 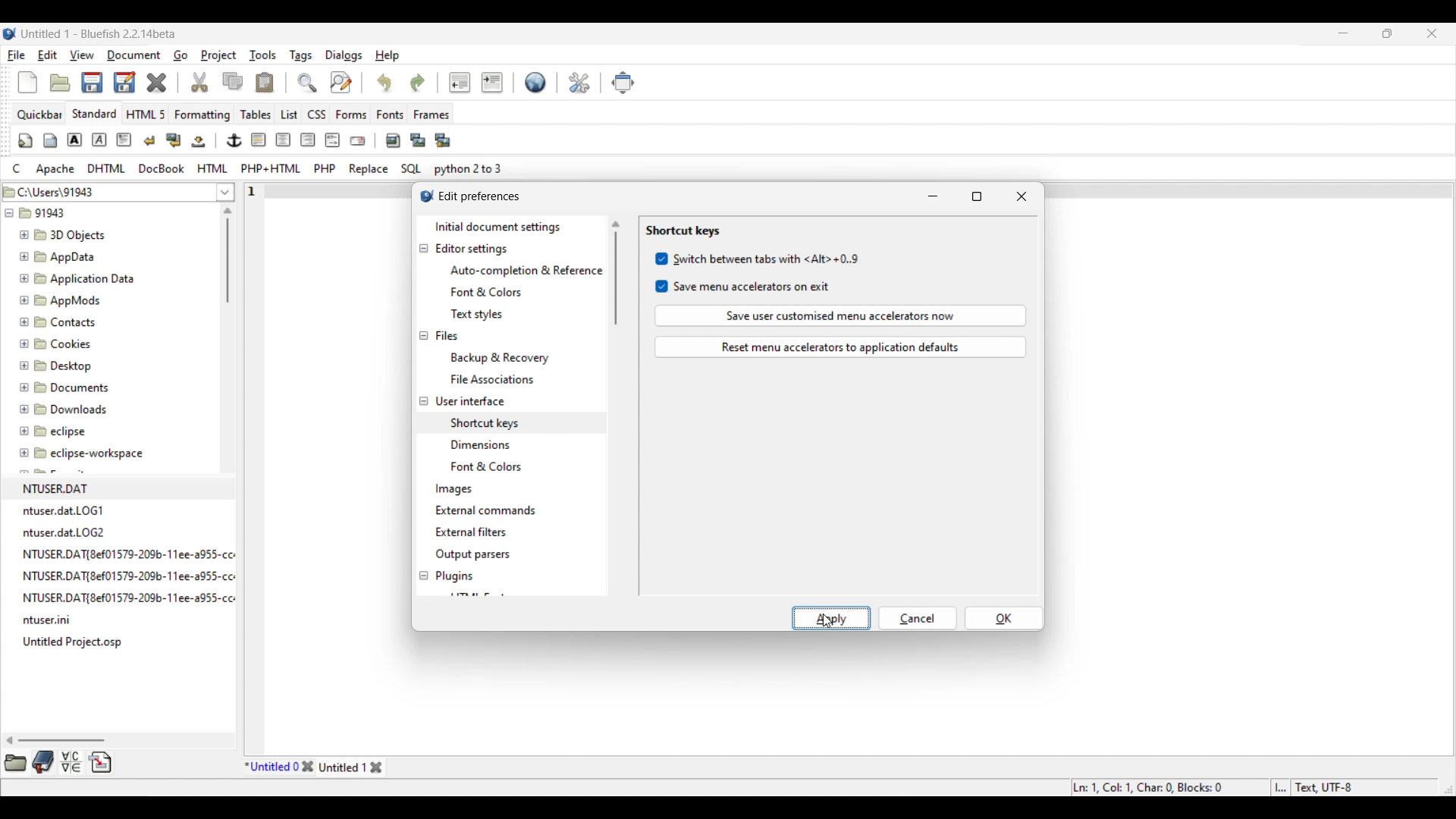 What do you see at coordinates (61, 488) in the screenshot?
I see `NTUSER.DAT` at bounding box center [61, 488].